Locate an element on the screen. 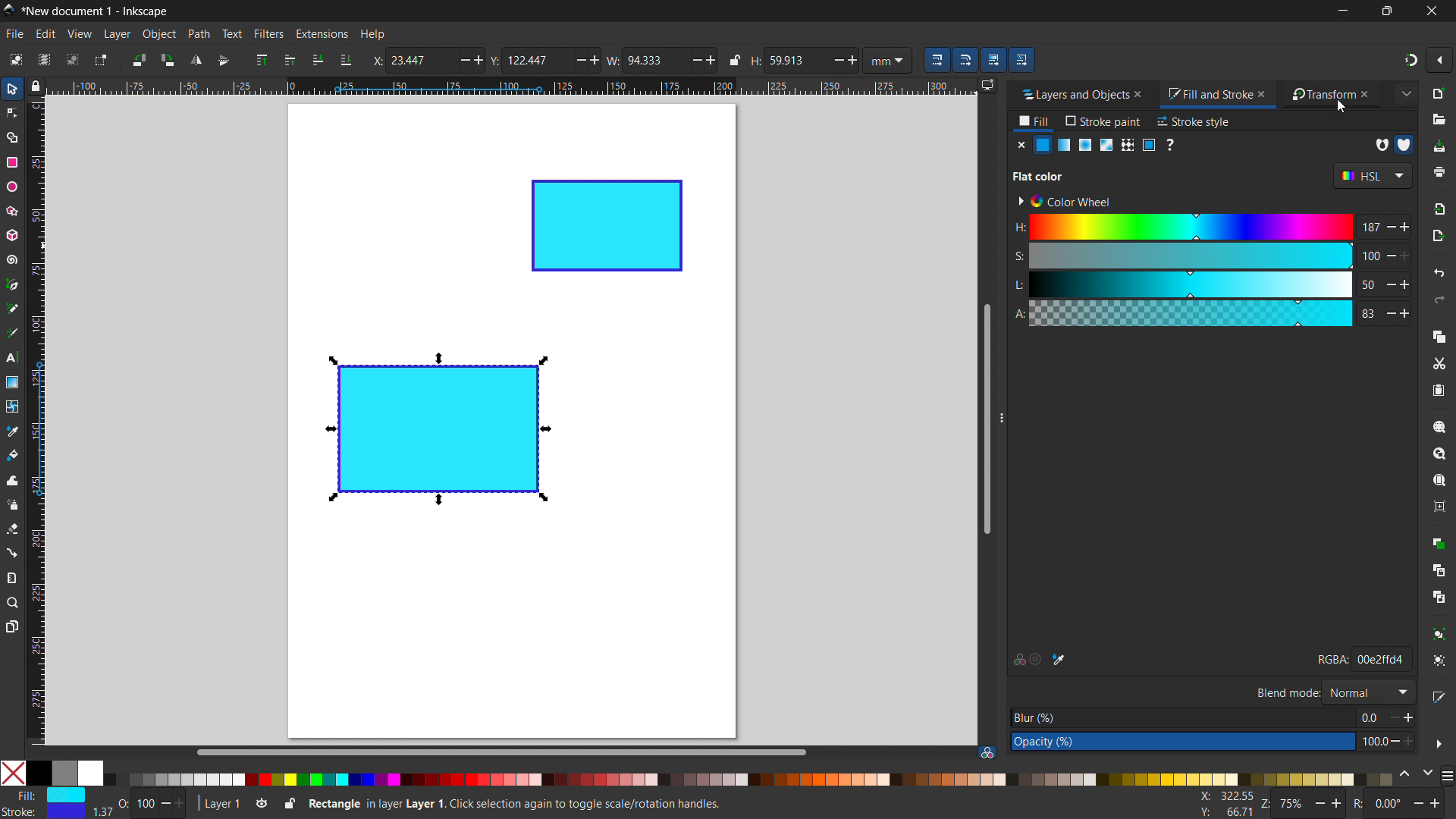  shape builder tool is located at coordinates (10, 136).